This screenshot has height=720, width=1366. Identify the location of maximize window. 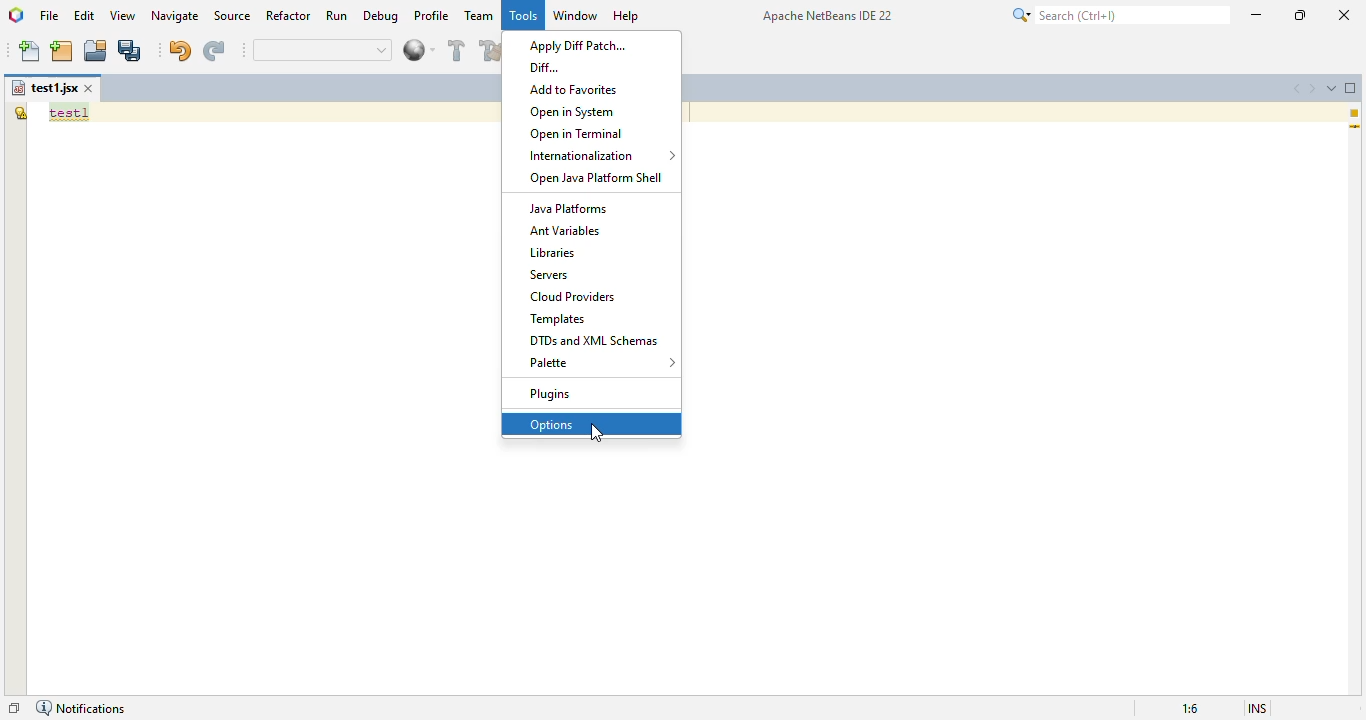
(1351, 88).